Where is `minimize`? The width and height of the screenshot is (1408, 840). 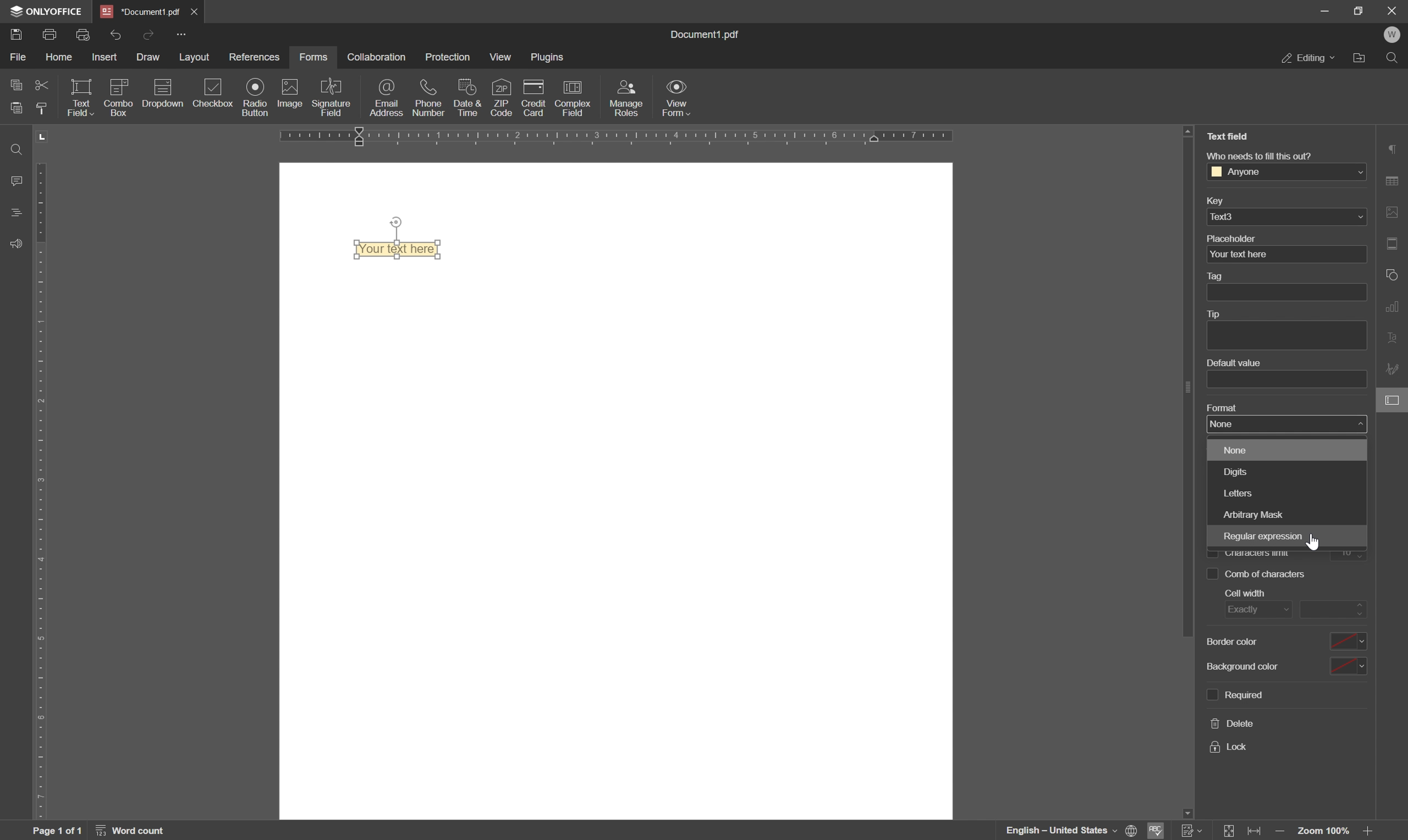
minimize is located at coordinates (1325, 12).